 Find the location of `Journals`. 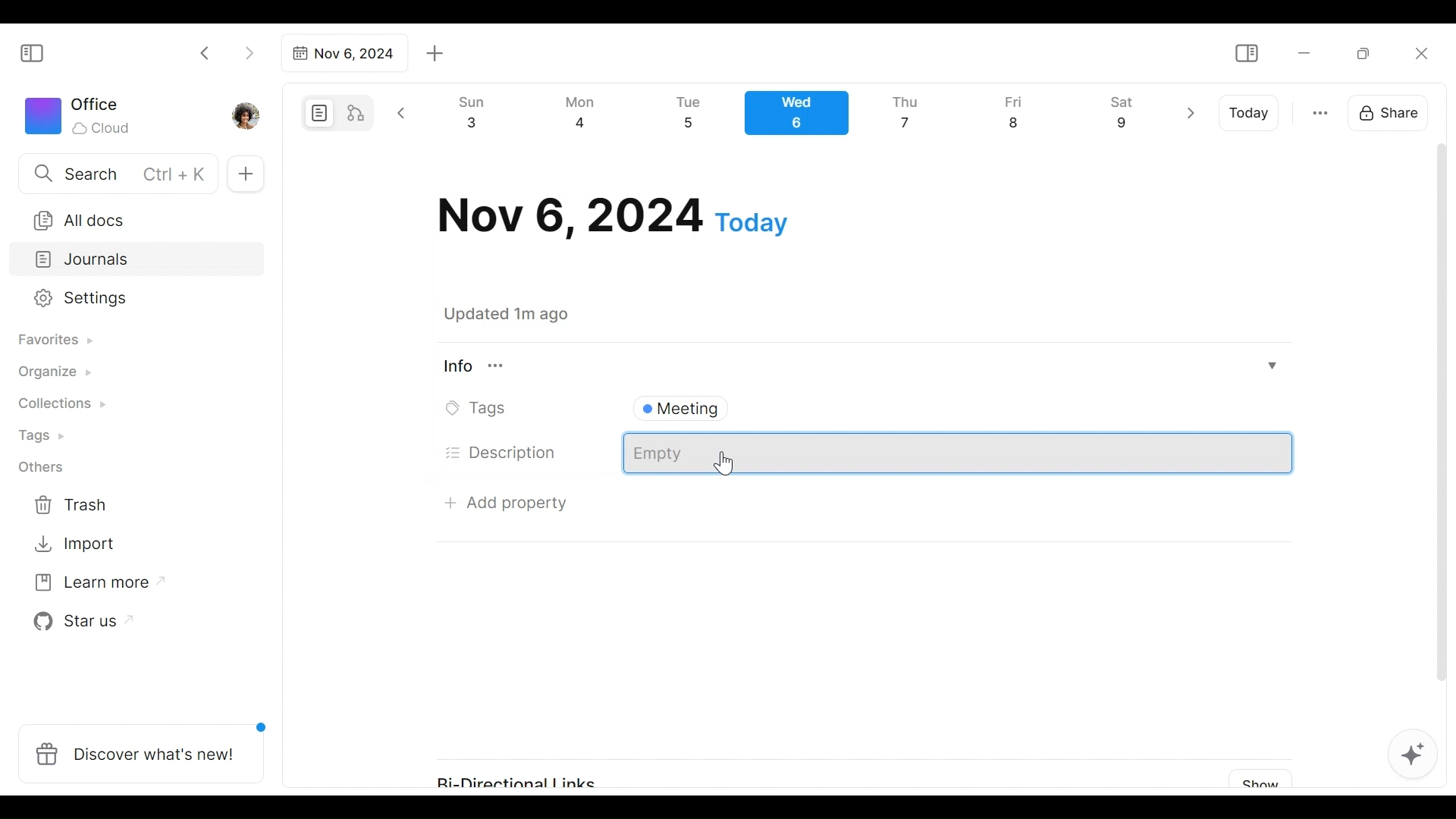

Journals is located at coordinates (138, 261).